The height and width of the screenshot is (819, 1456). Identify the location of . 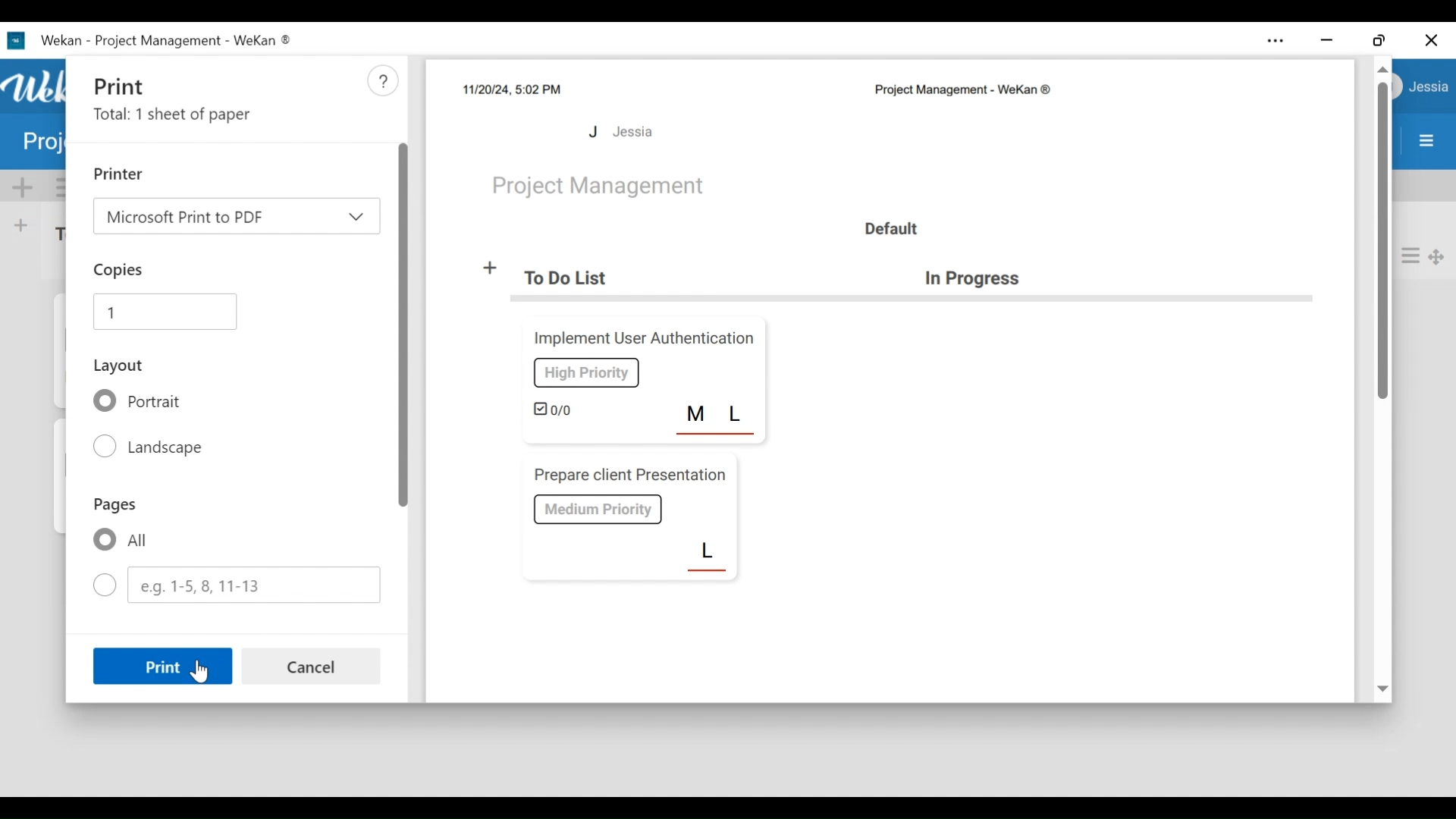
(403, 325).